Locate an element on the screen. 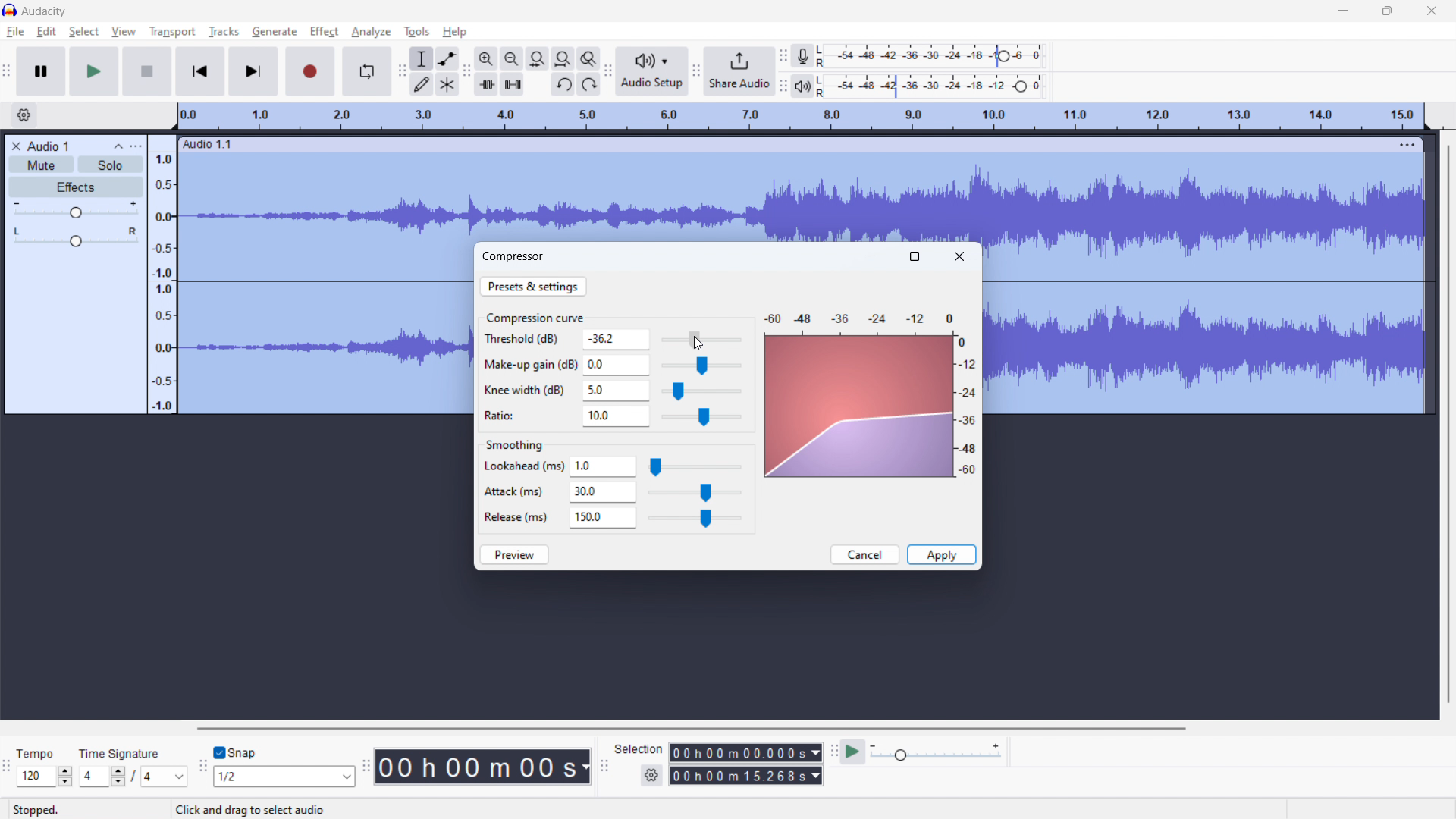  Stopped is located at coordinates (46, 808).